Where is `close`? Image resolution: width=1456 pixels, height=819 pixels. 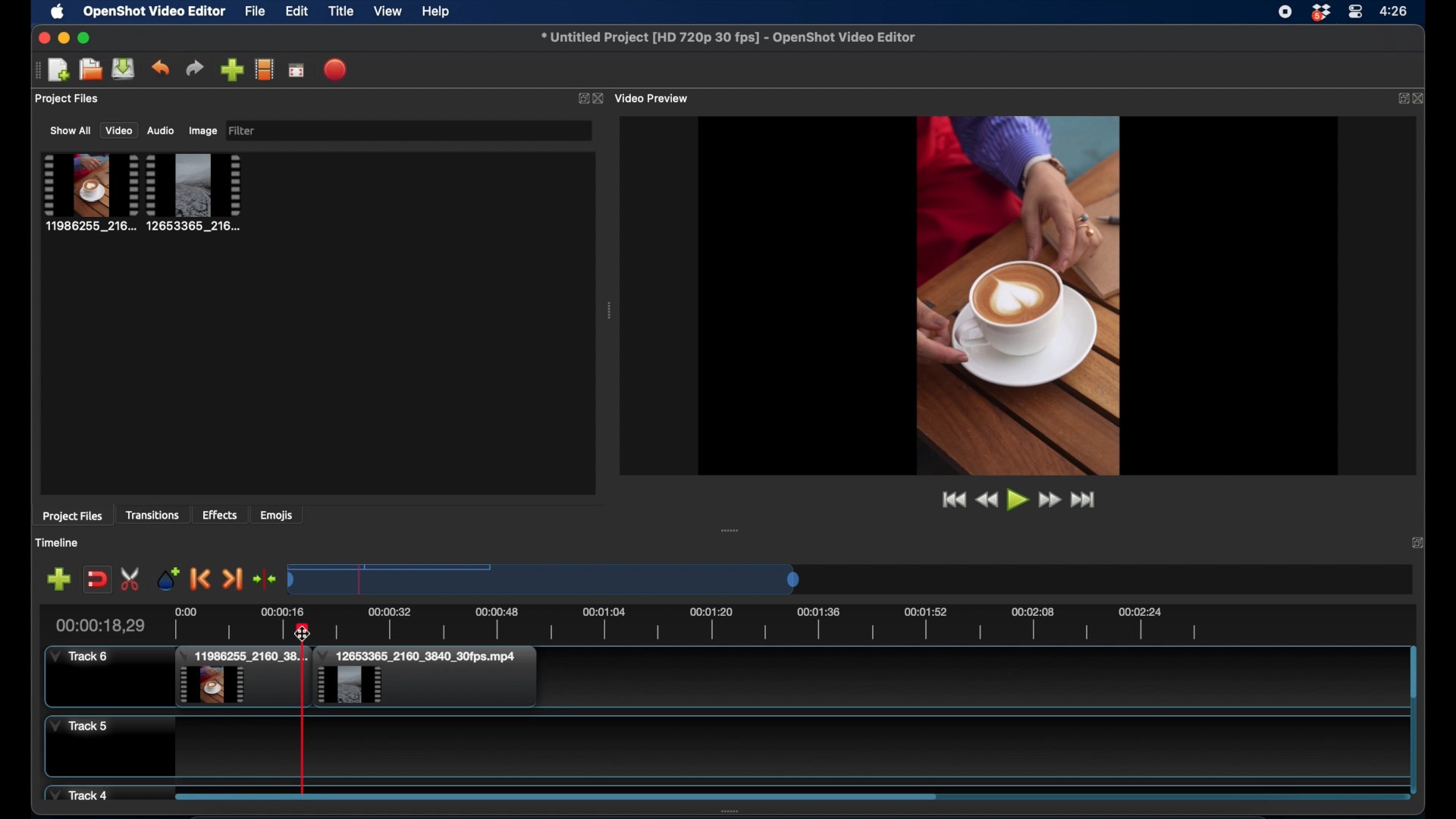
close is located at coordinates (600, 99).